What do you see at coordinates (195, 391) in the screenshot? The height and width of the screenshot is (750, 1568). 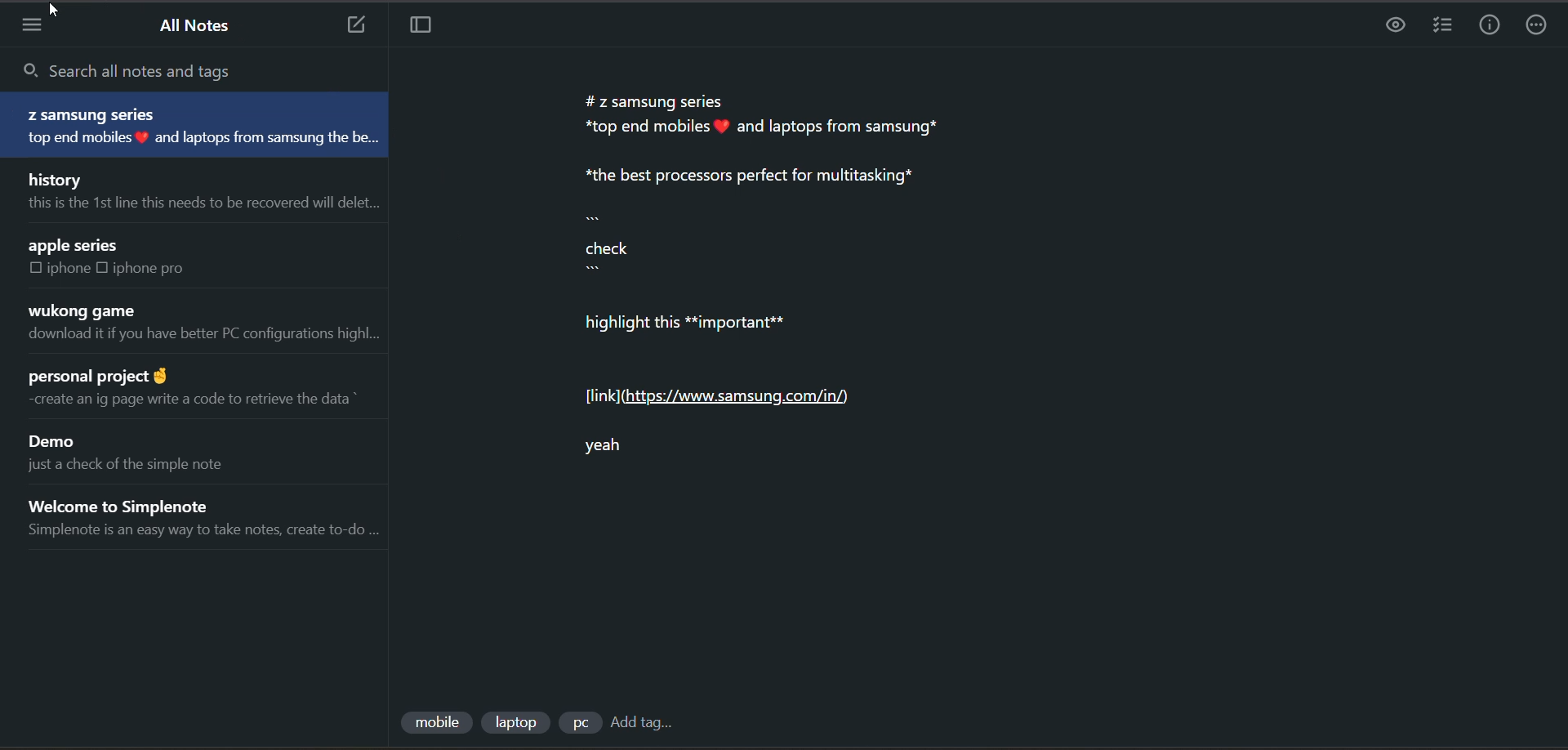 I see `note title and preview` at bounding box center [195, 391].